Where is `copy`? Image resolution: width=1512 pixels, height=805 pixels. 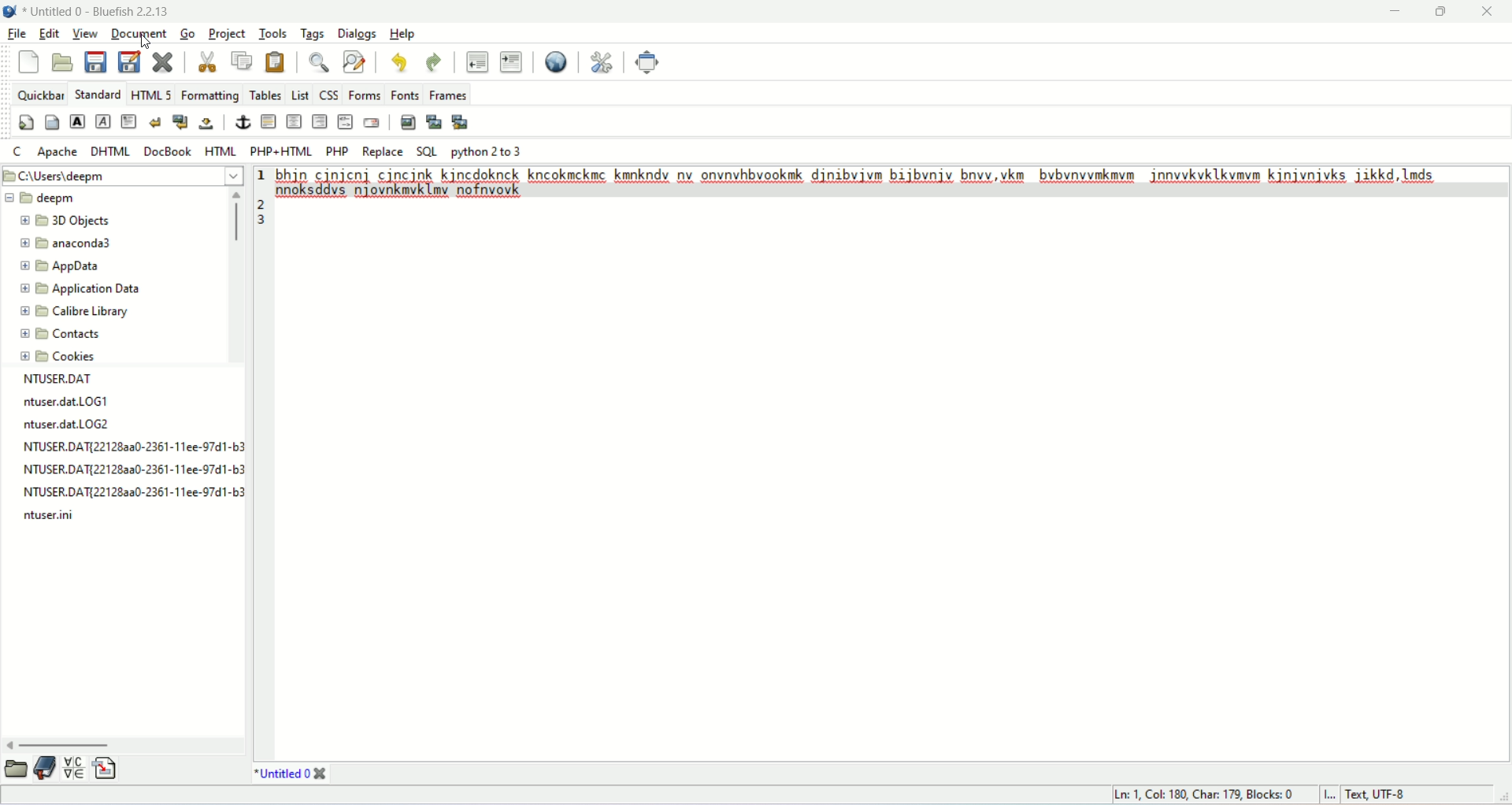
copy is located at coordinates (243, 61).